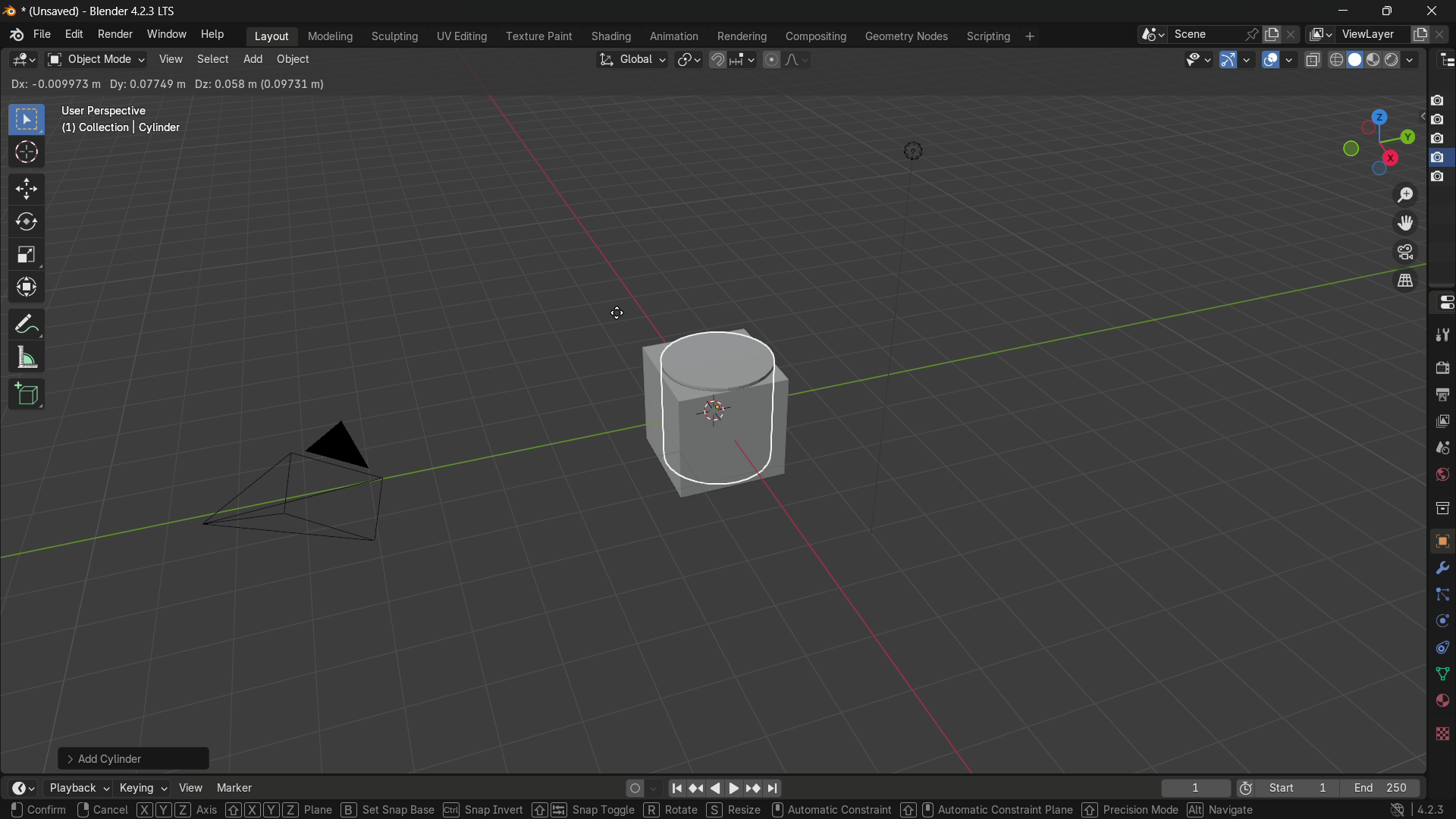 The height and width of the screenshot is (819, 1456). What do you see at coordinates (463, 37) in the screenshot?
I see `uv editing menu` at bounding box center [463, 37].